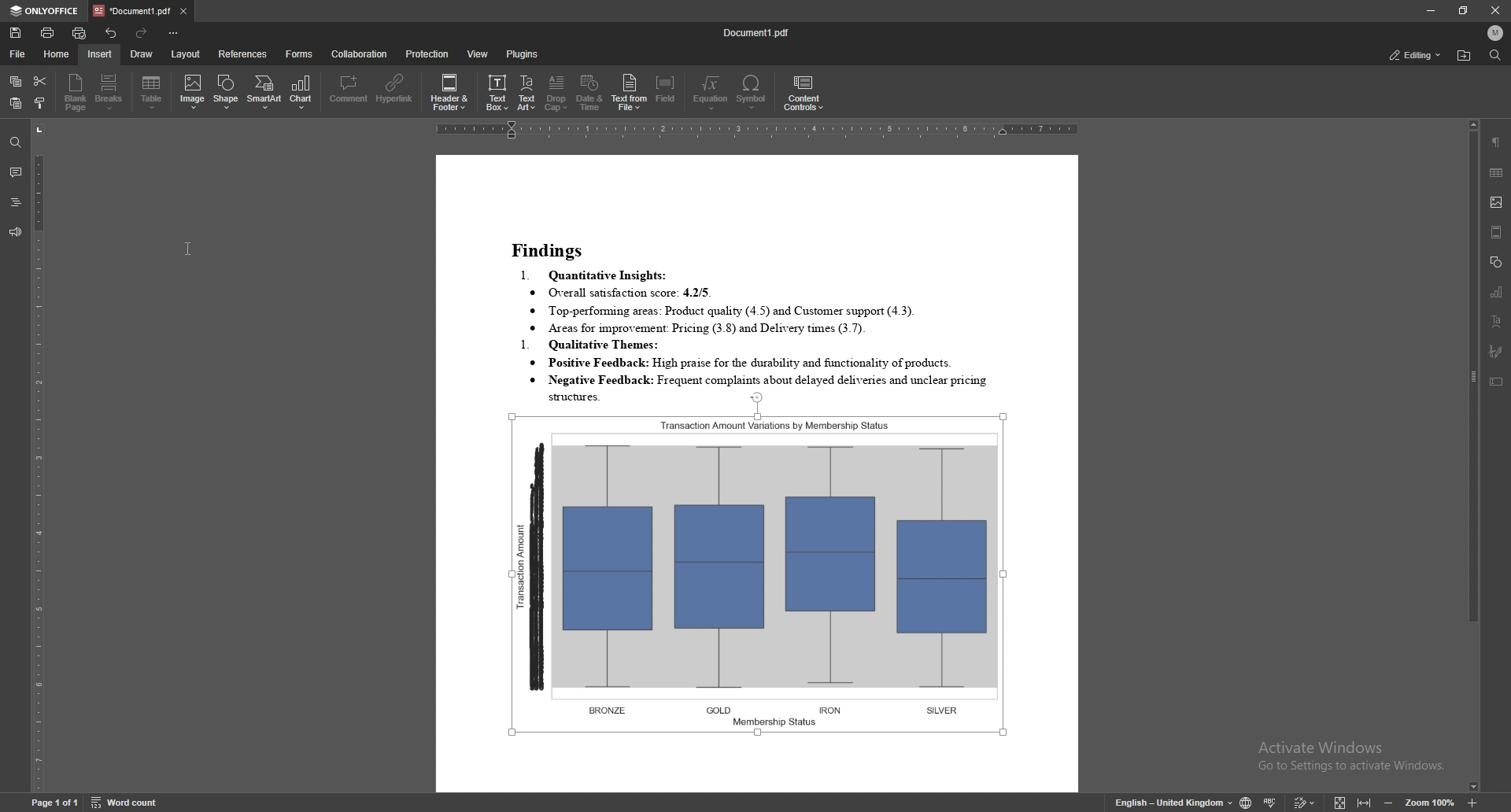  I want to click on shapes, so click(1495, 262).